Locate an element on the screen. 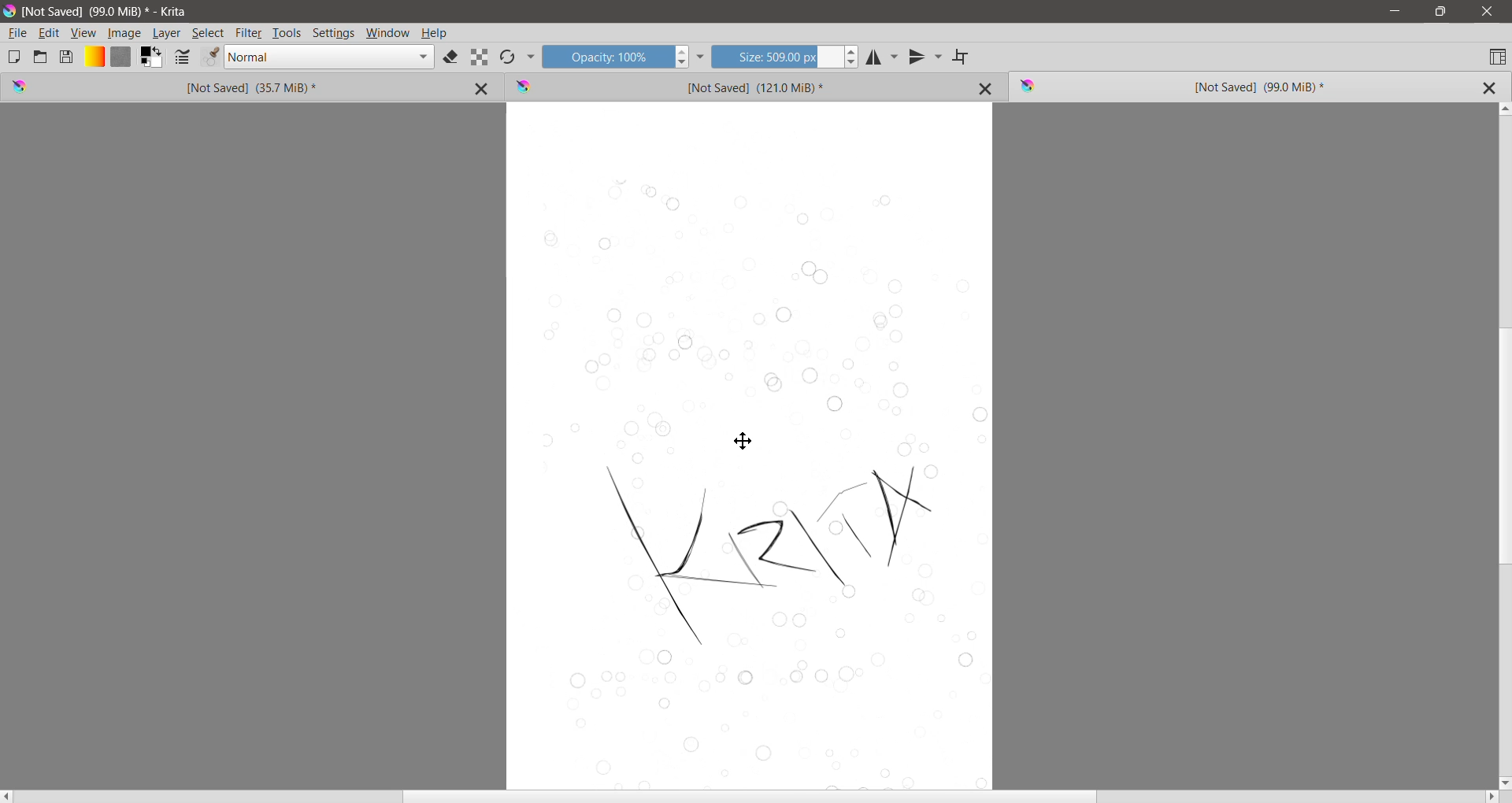 The width and height of the screenshot is (1512, 803). Tools is located at coordinates (287, 34).